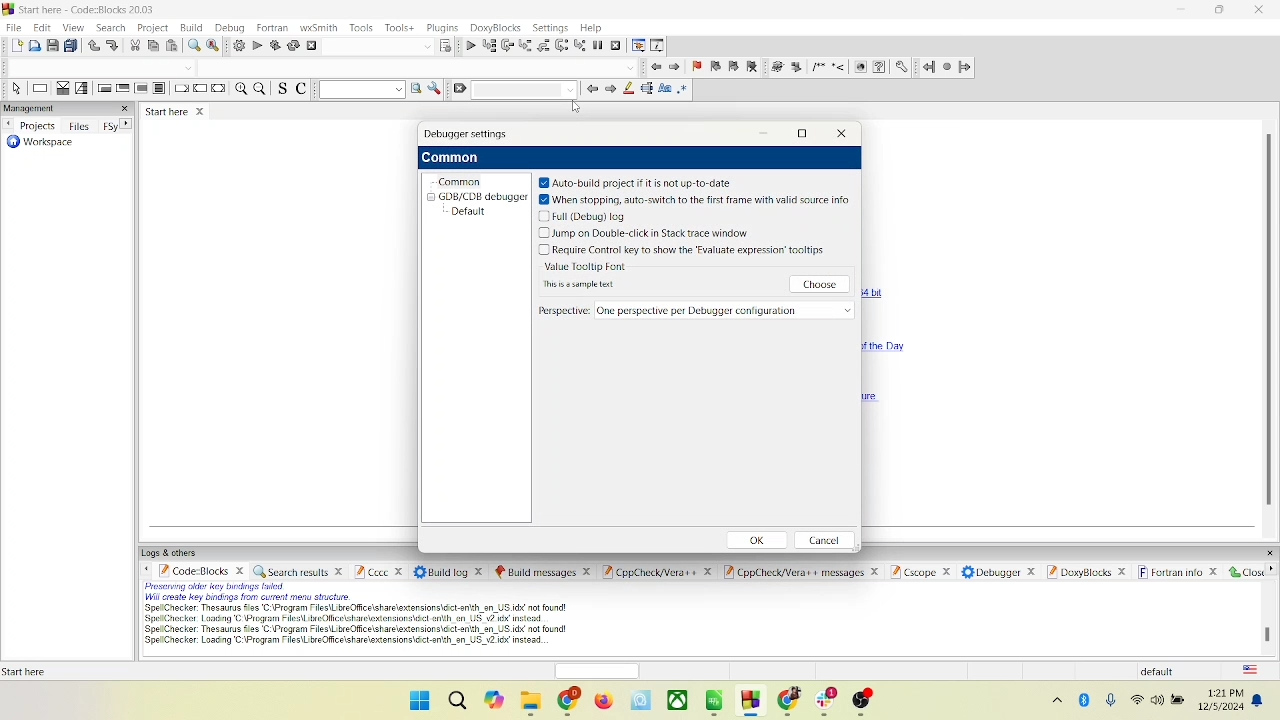 This screenshot has width=1280, height=720. I want to click on close, so click(1261, 10).